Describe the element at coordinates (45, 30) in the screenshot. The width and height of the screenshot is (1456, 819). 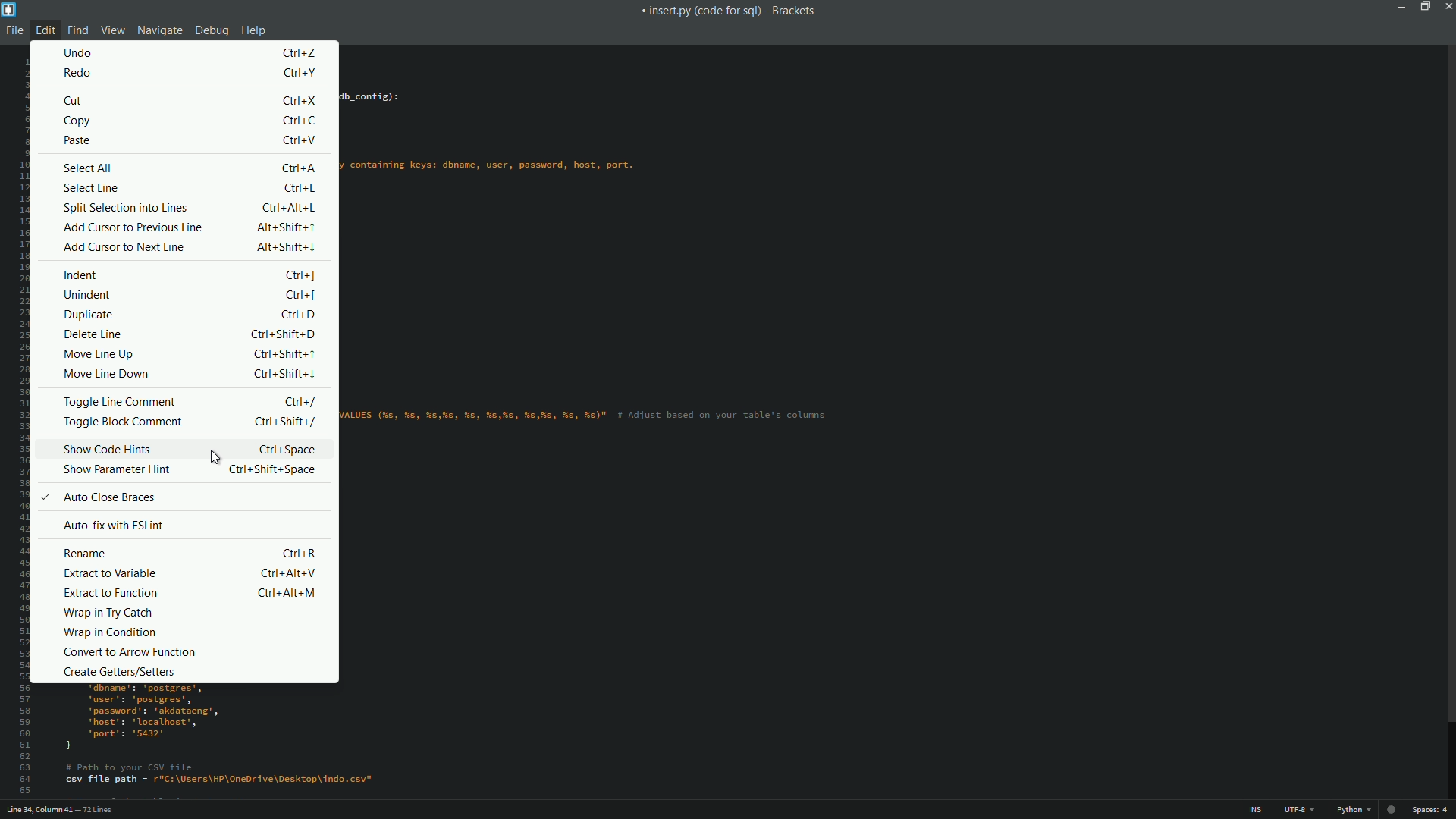
I see `edit menu` at that location.